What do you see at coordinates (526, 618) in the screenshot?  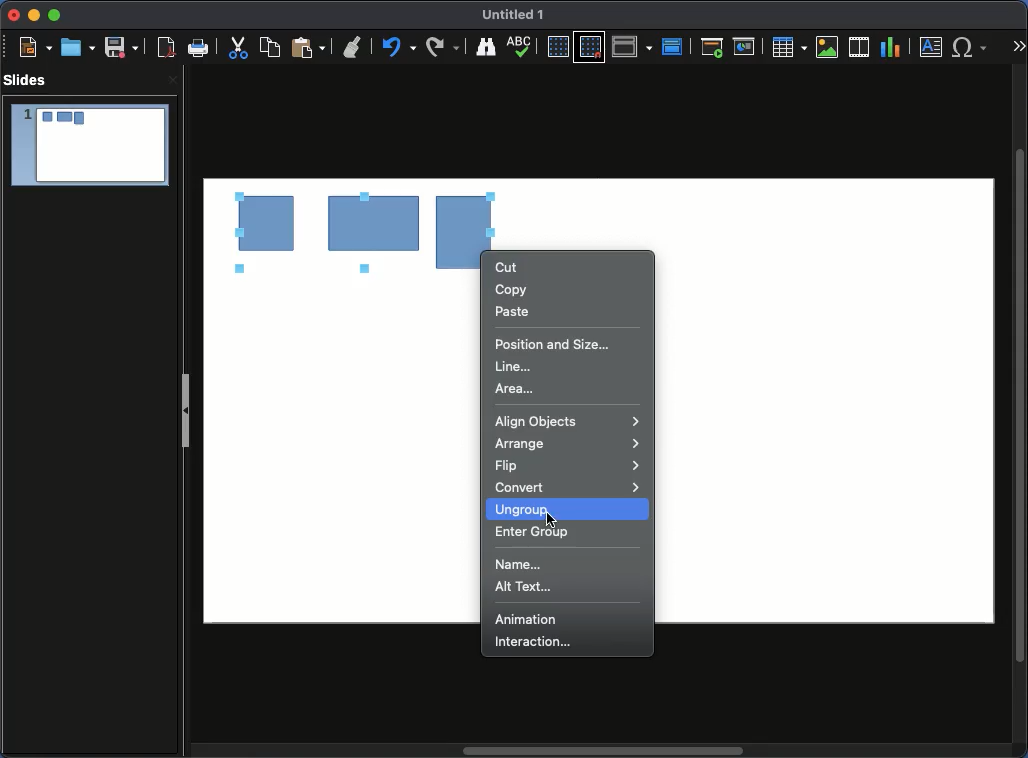 I see `Animation` at bounding box center [526, 618].